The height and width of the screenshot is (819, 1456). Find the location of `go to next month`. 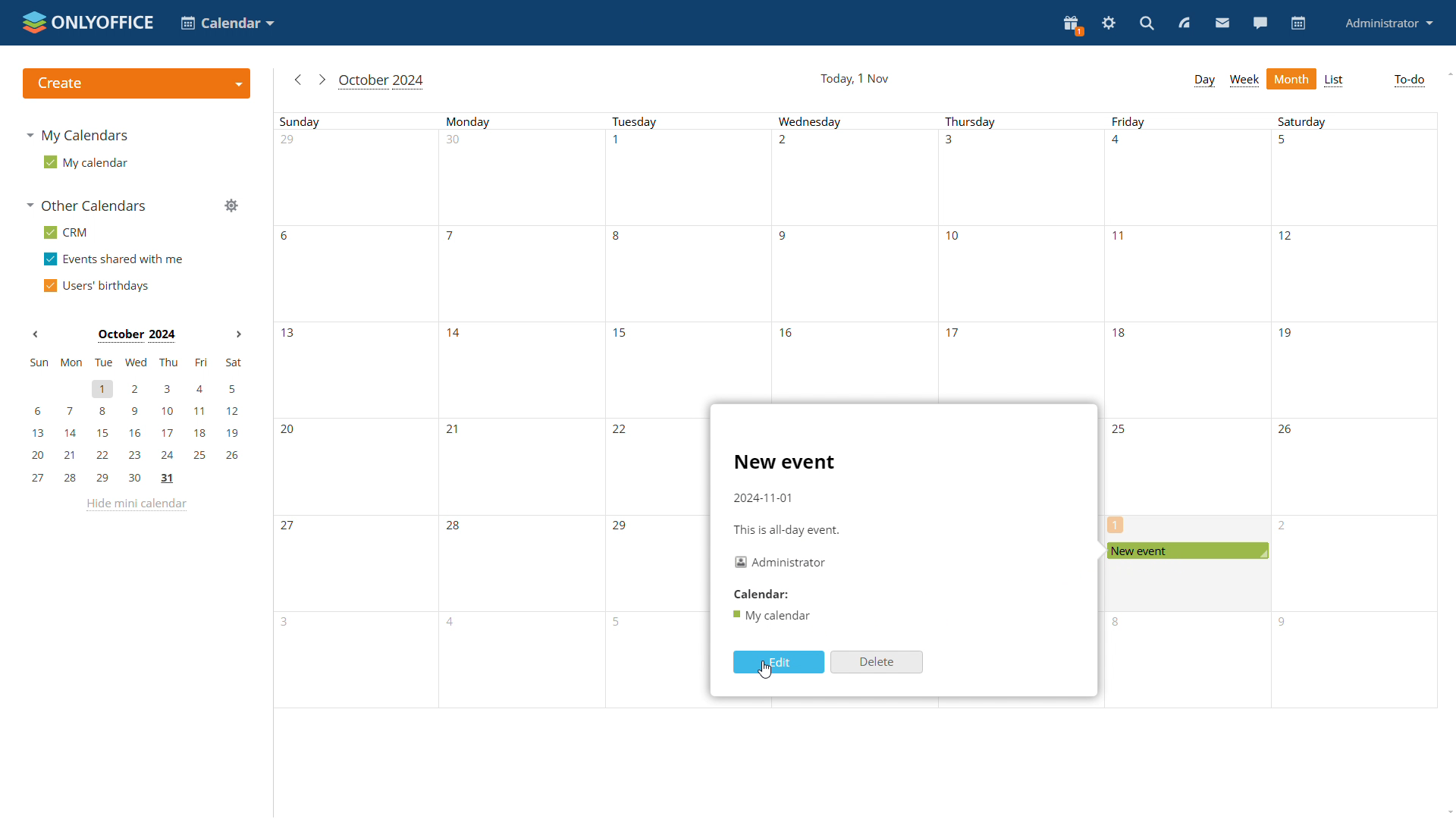

go to next month is located at coordinates (322, 80).